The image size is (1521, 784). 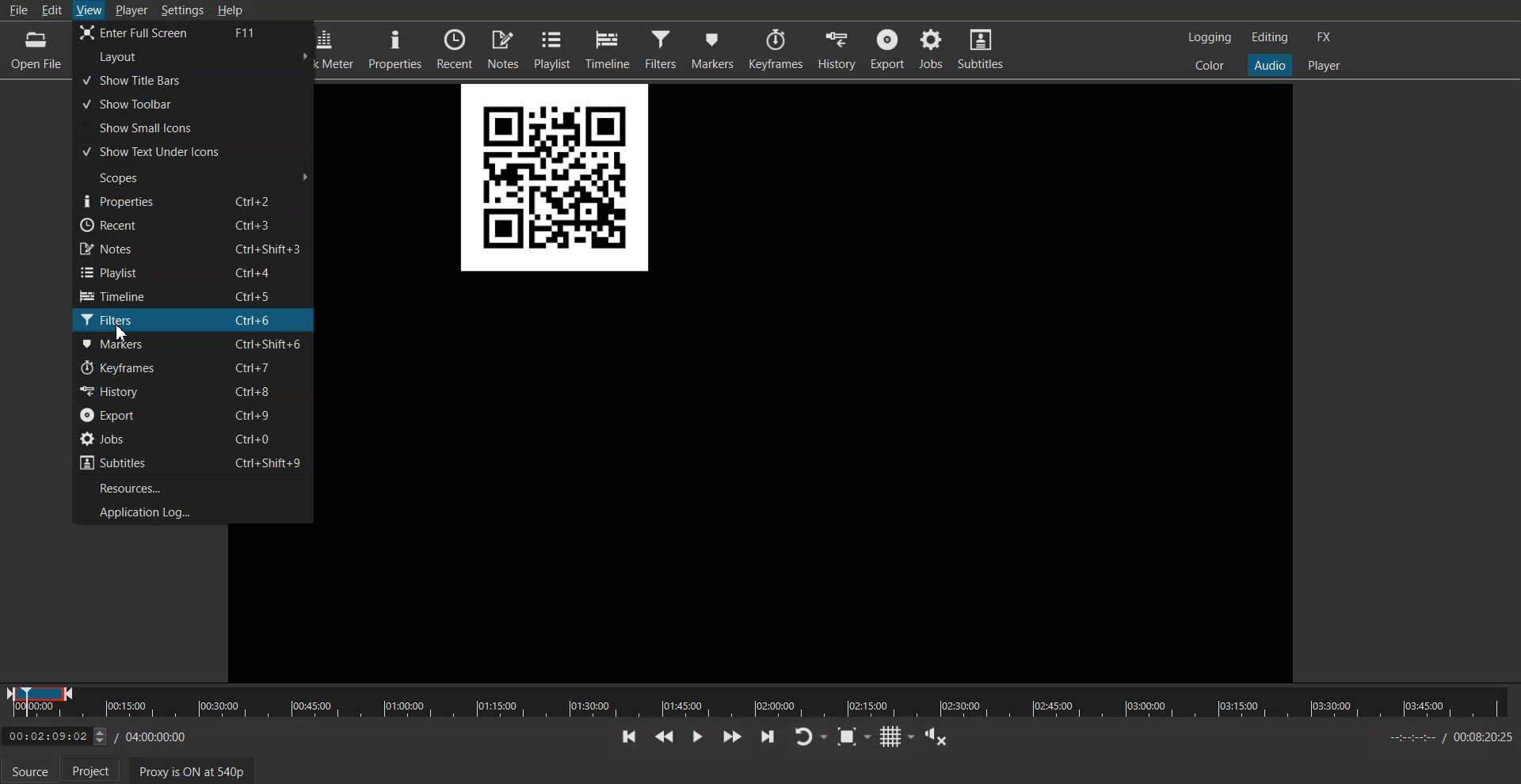 I want to click on Keyframes, so click(x=193, y=368).